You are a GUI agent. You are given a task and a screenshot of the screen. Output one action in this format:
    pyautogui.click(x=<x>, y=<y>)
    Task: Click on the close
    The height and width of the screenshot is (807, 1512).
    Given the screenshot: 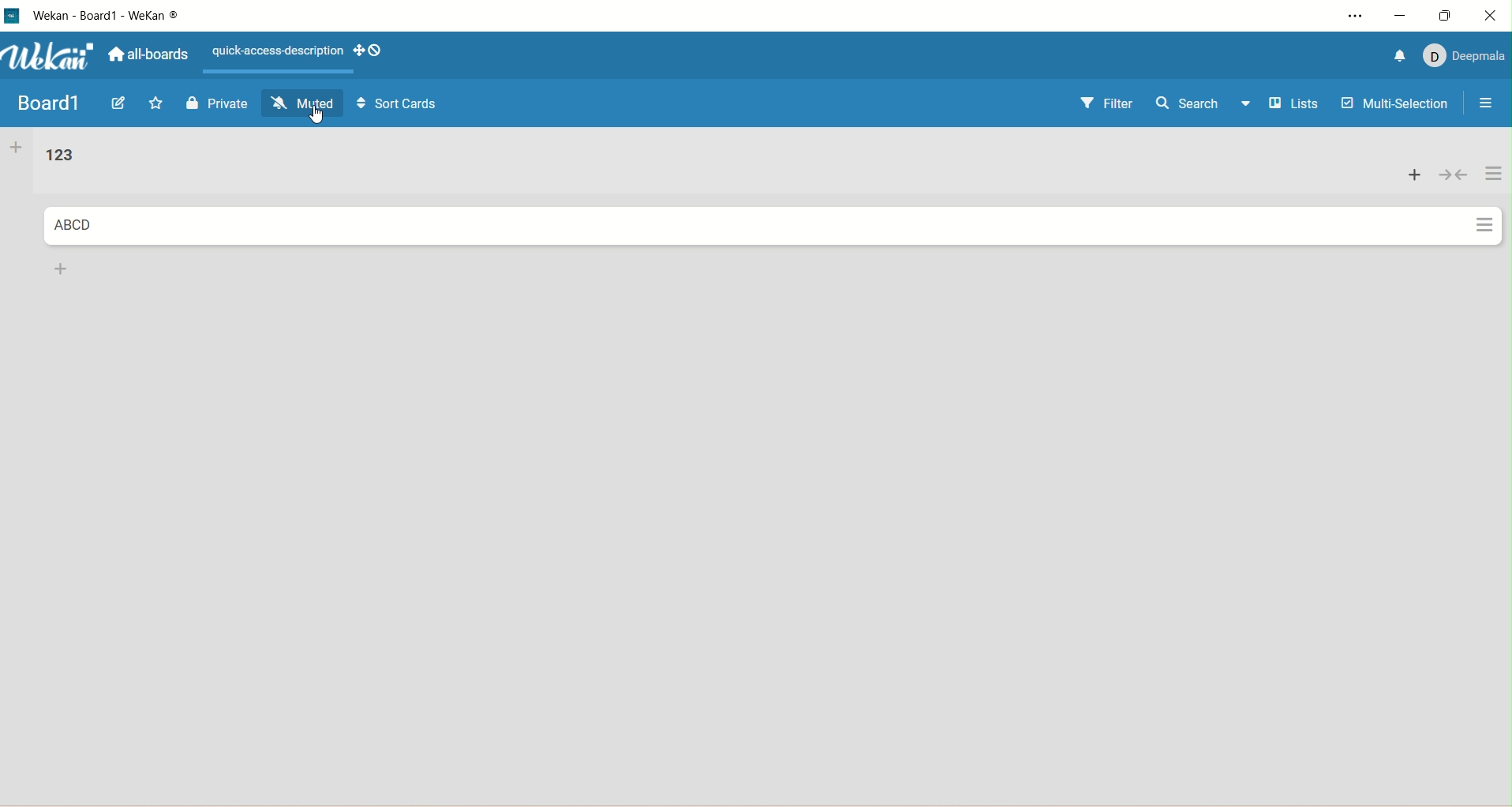 What is the action you would take?
    pyautogui.click(x=1495, y=13)
    